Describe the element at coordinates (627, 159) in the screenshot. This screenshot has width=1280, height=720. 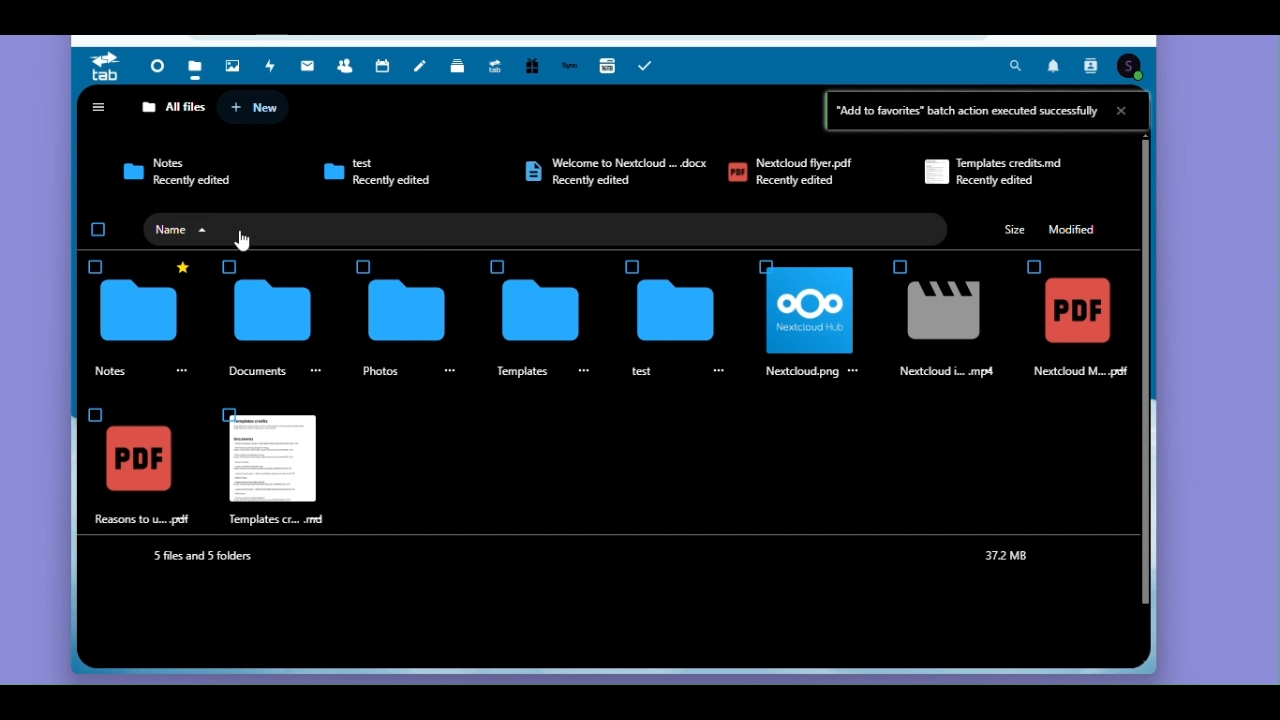
I see `Welcome to Netcloud ... docx` at that location.